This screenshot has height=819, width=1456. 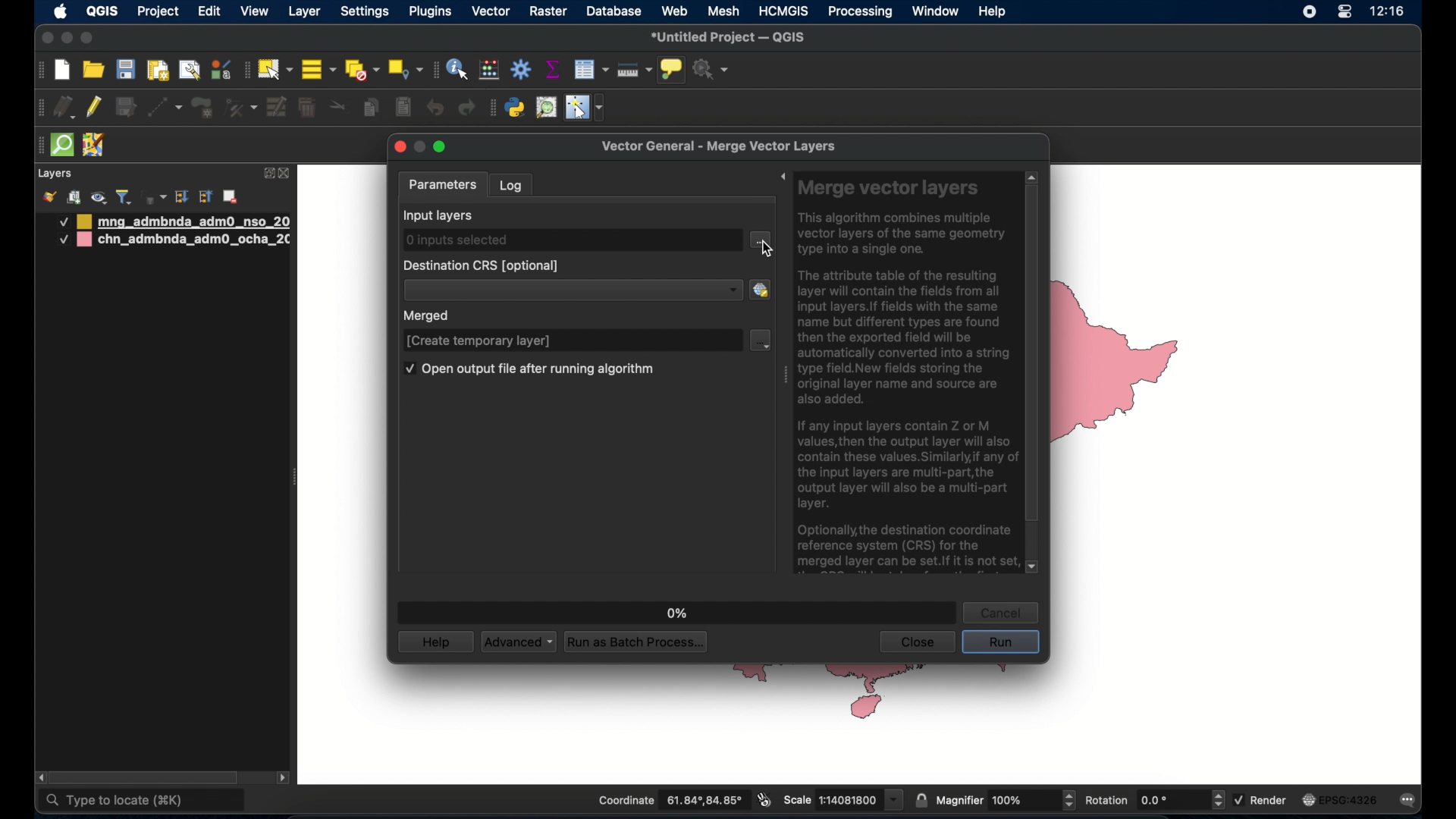 What do you see at coordinates (637, 643) in the screenshot?
I see `run as batch process` at bounding box center [637, 643].